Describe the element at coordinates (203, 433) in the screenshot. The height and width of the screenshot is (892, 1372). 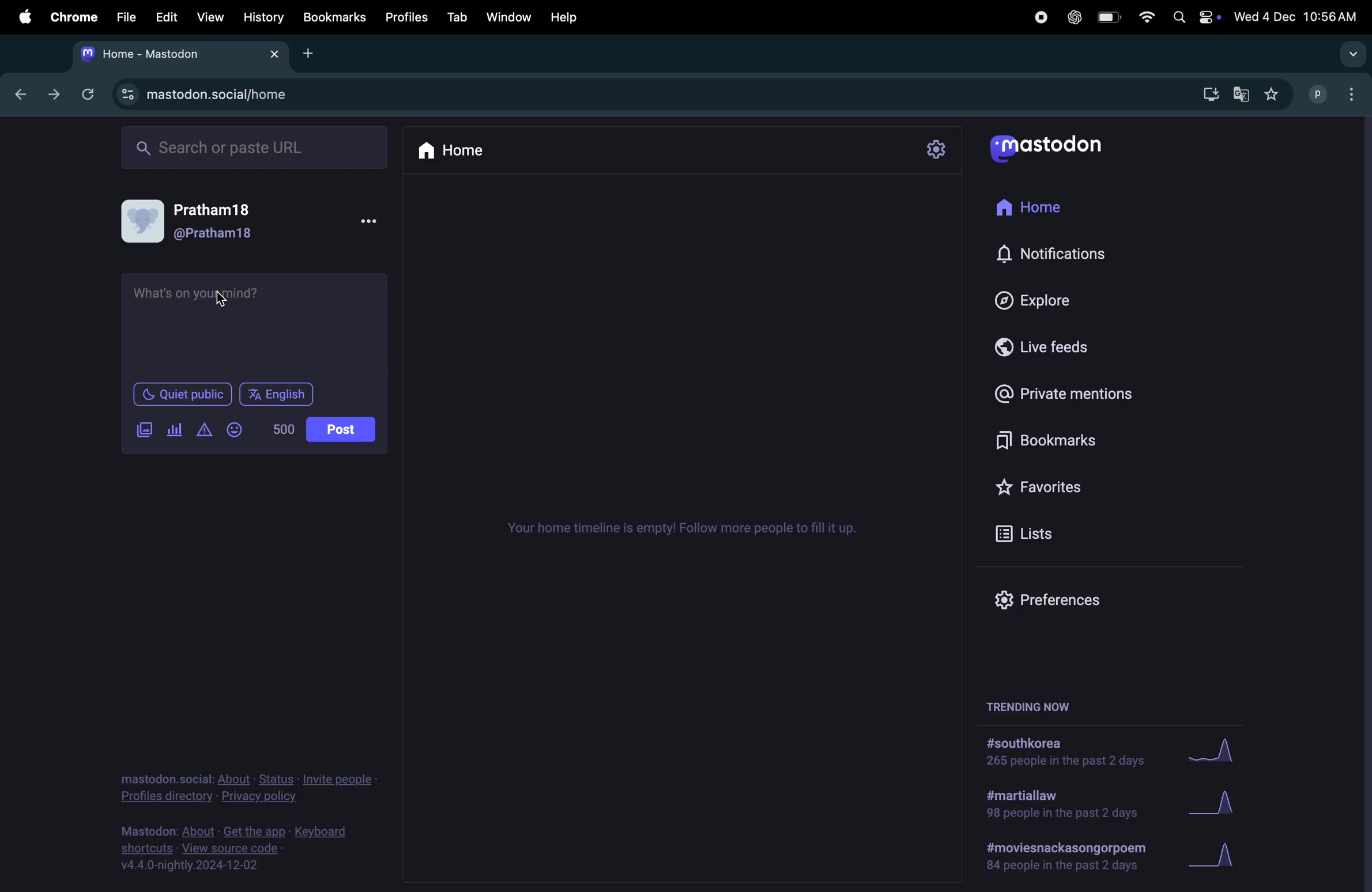
I see `alerts` at that location.